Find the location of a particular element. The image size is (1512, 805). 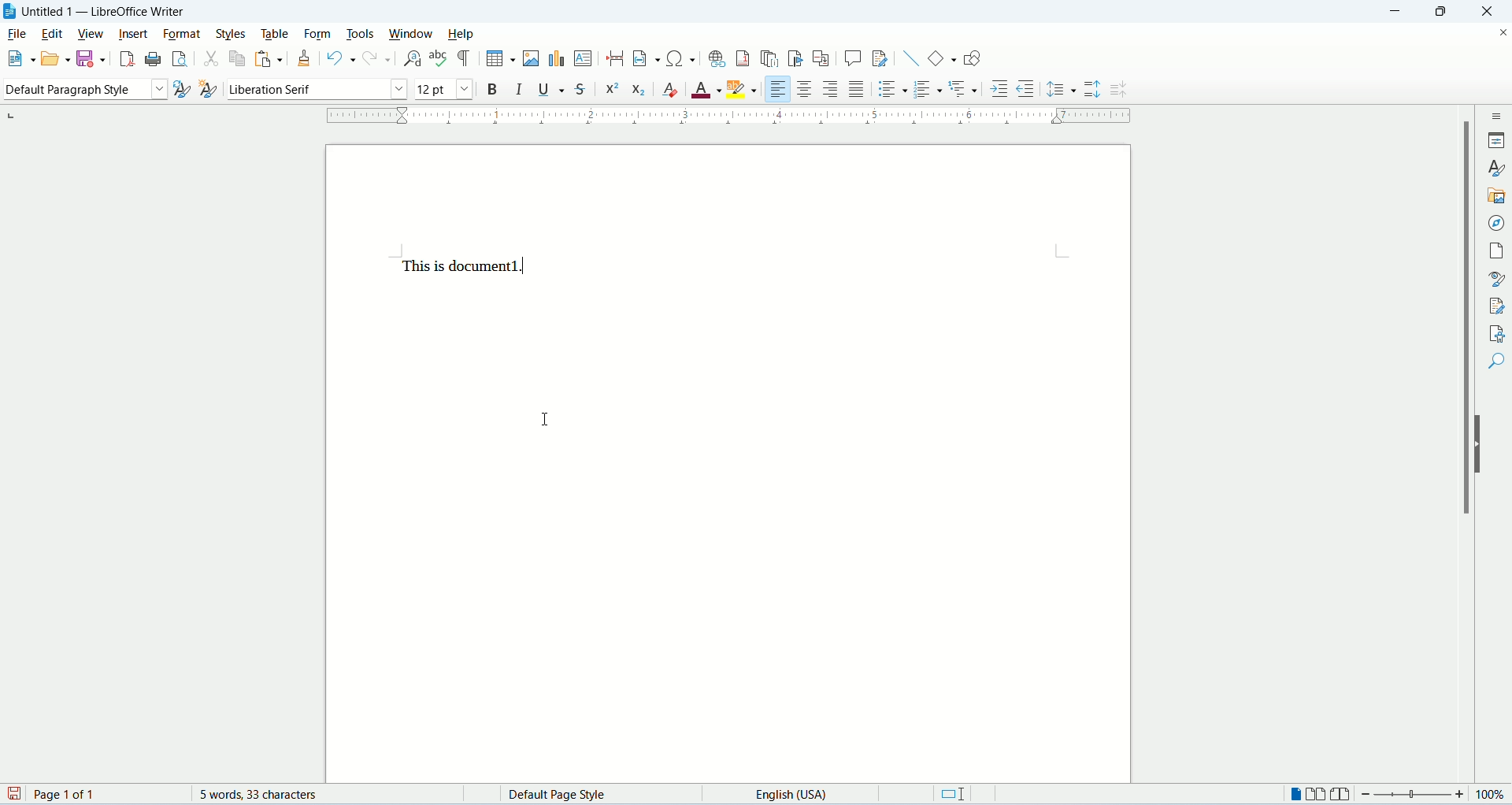

spell check is located at coordinates (439, 60).